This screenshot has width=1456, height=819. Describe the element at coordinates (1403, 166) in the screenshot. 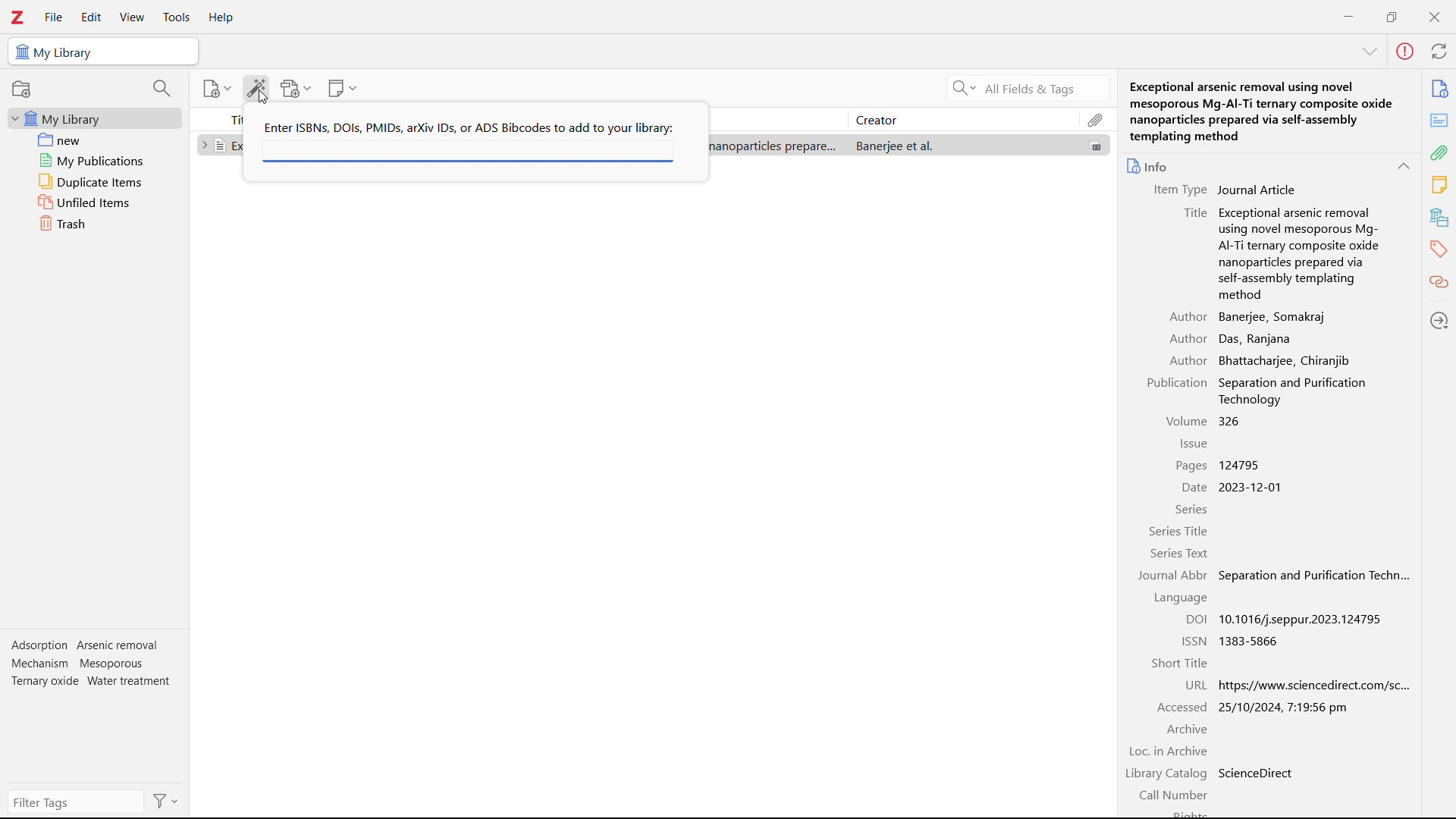

I see `collapse info` at that location.